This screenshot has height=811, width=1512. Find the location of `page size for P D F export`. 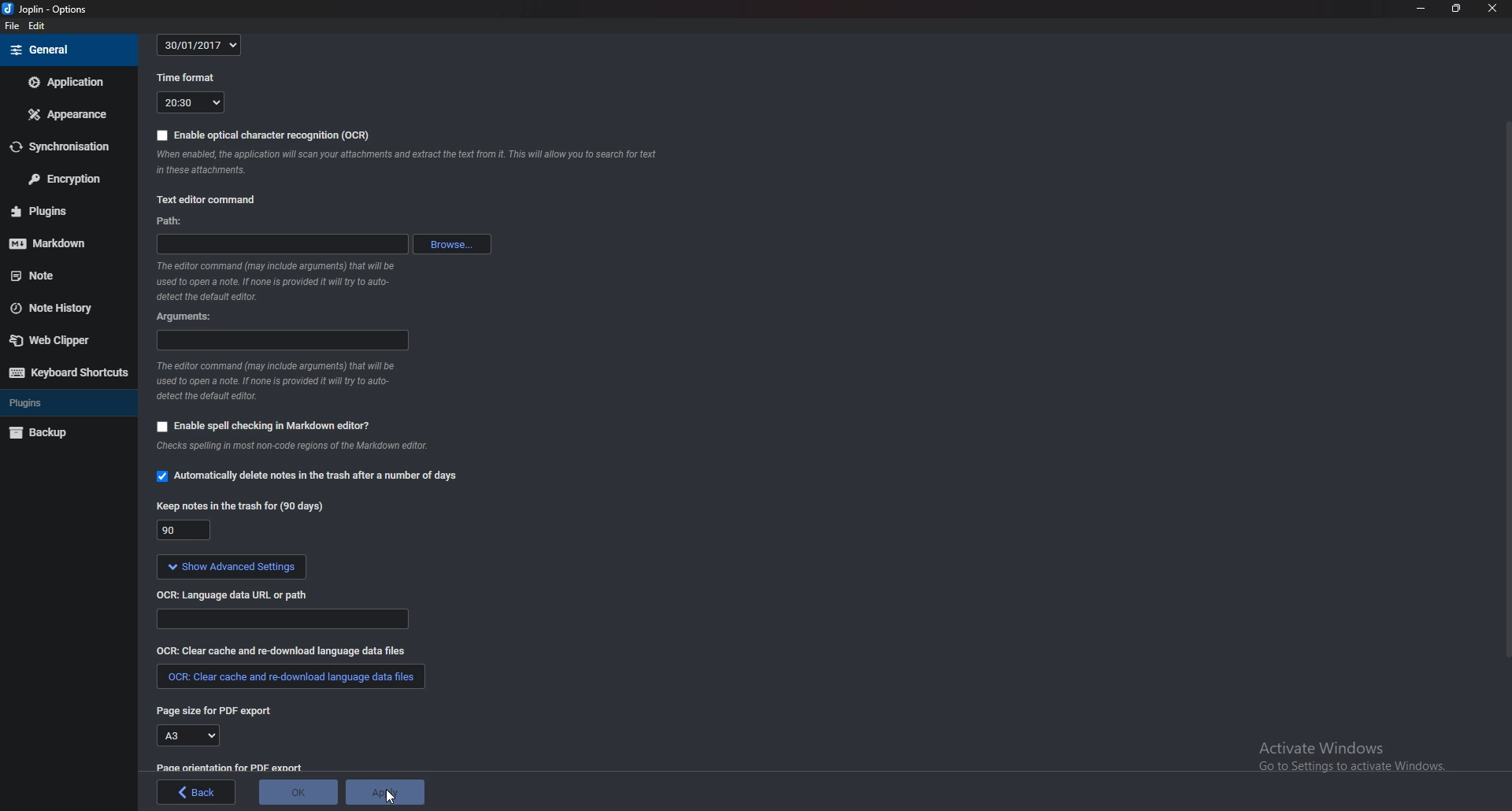

page size for P D F export is located at coordinates (220, 713).